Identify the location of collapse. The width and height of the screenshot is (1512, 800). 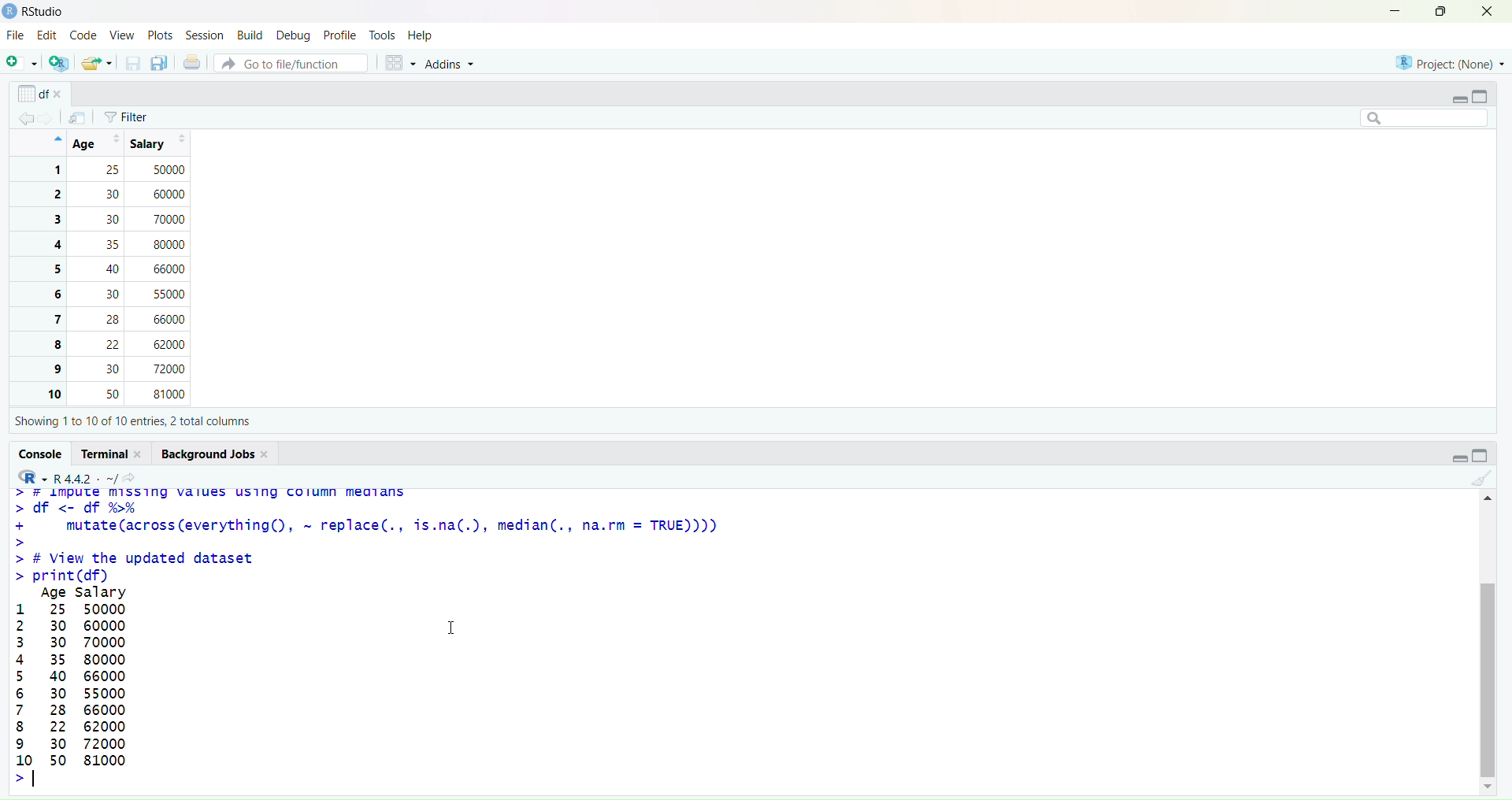
(1482, 94).